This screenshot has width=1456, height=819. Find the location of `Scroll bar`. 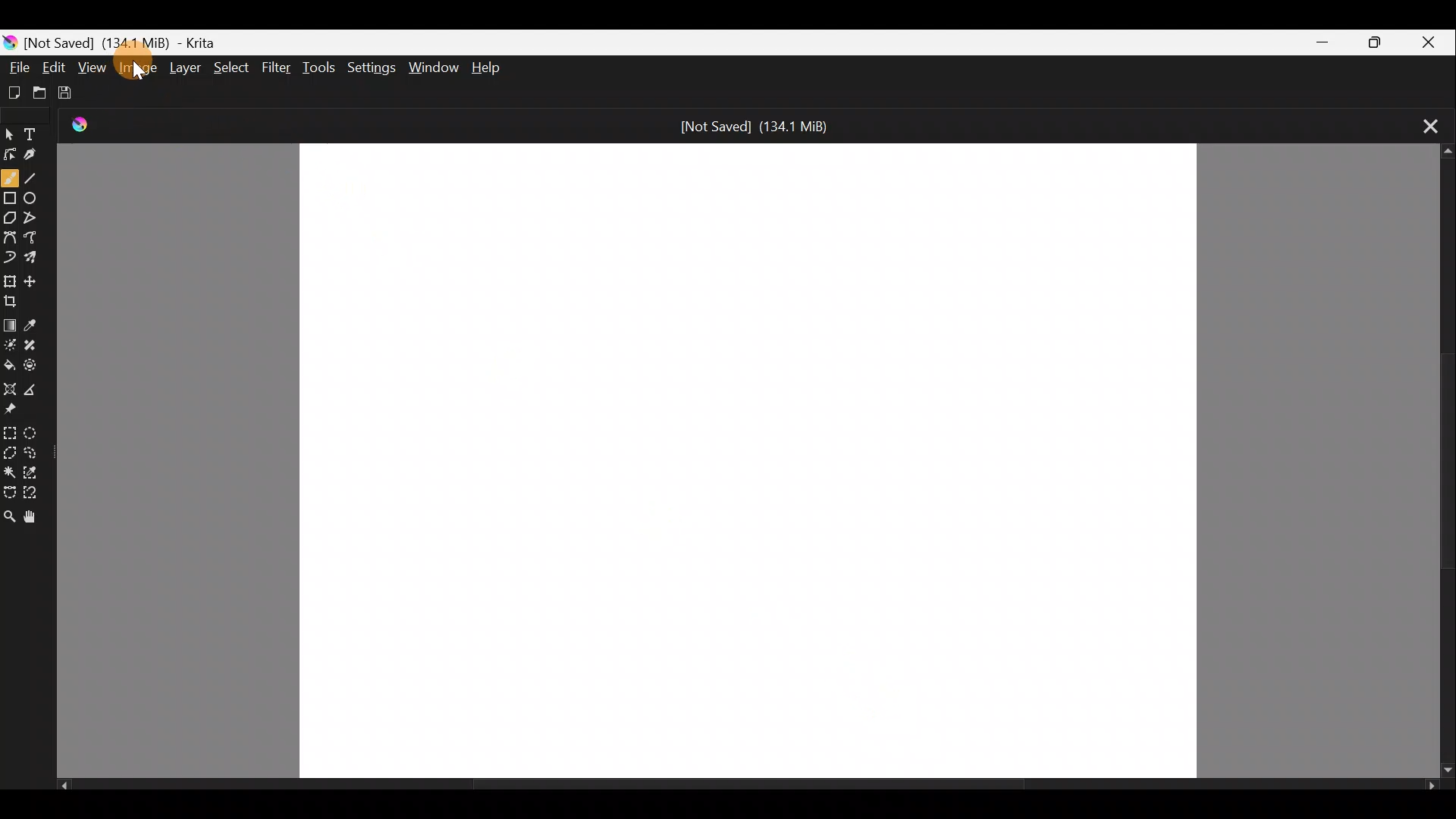

Scroll bar is located at coordinates (1441, 462).